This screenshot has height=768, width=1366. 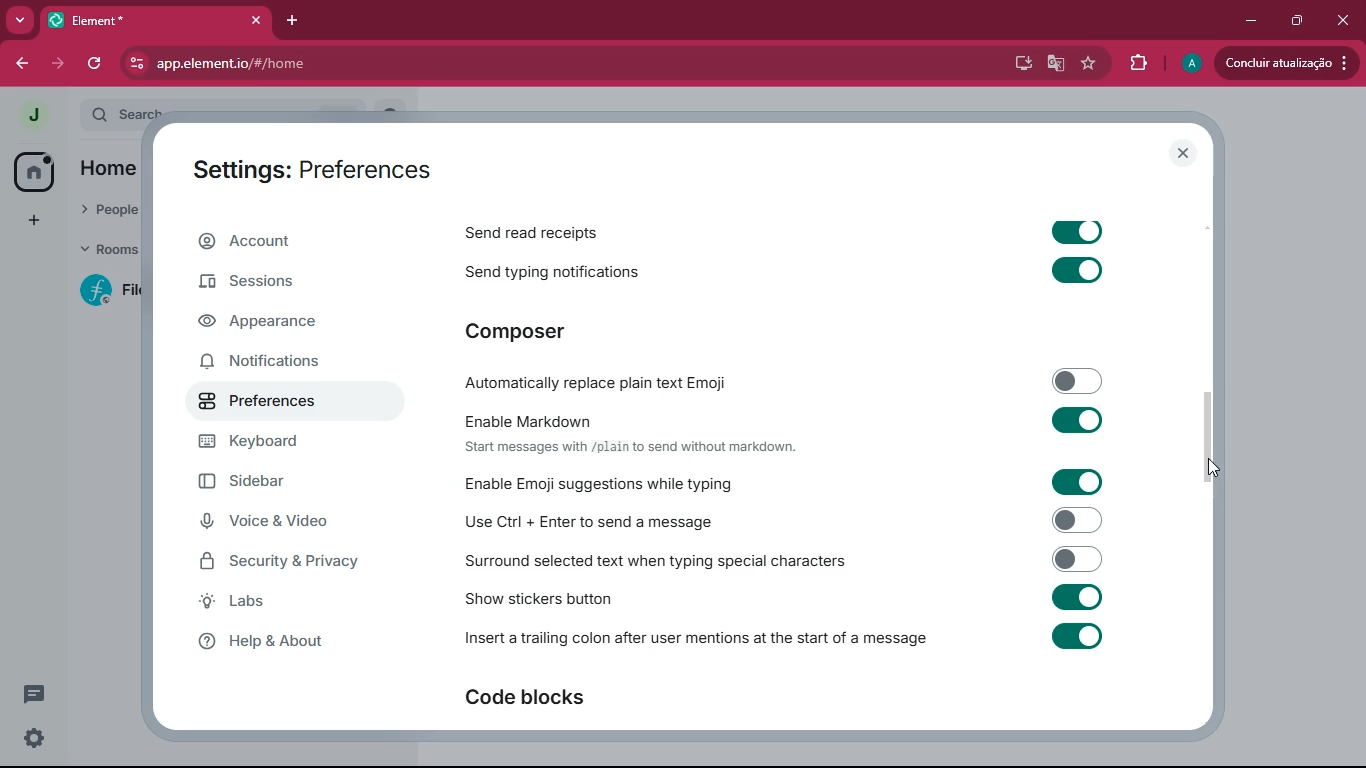 I want to click on : Insert a trailing colon after user mentions at the start of a message, so click(x=781, y=640).